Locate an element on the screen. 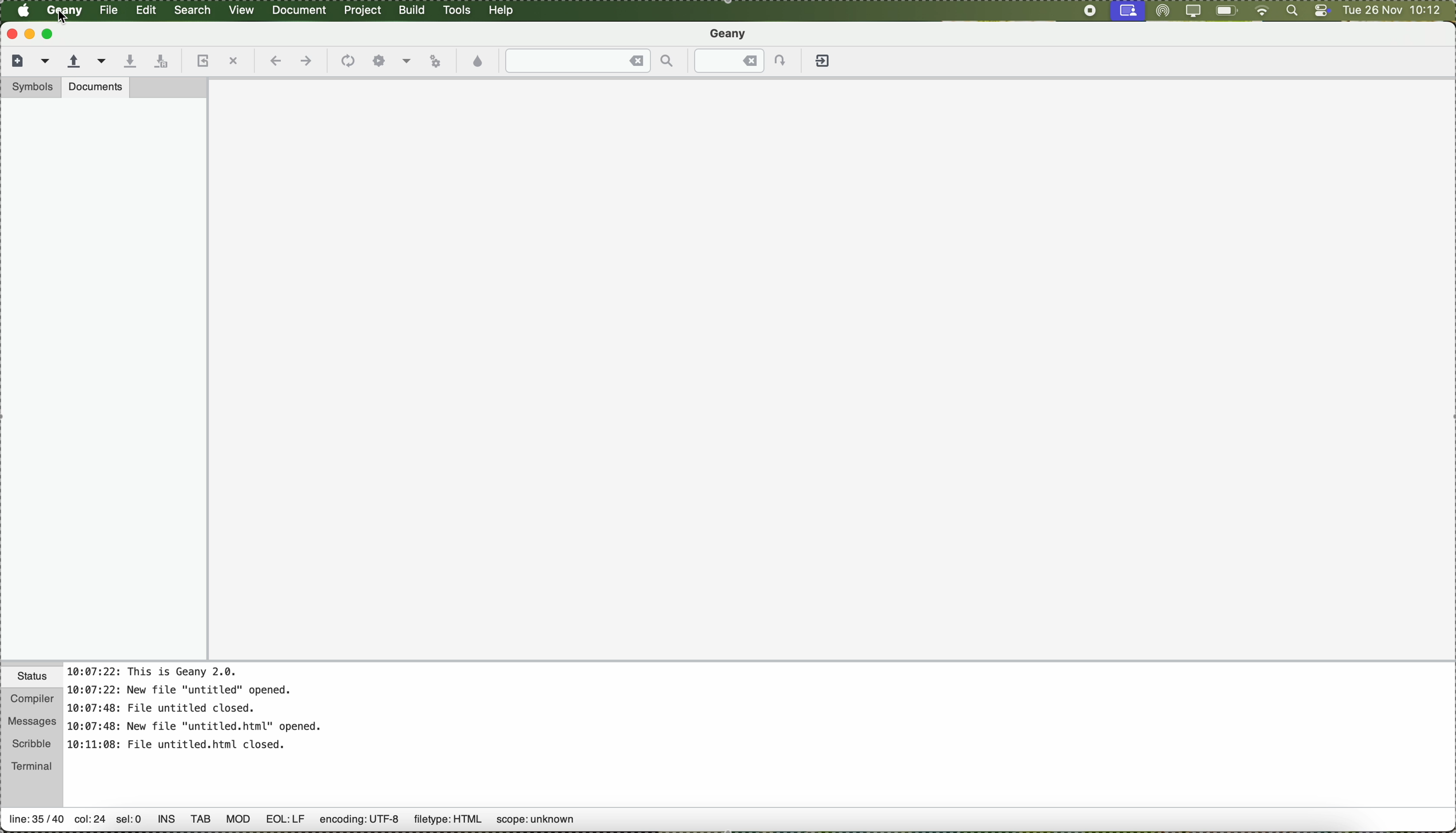 This screenshot has height=833, width=1456. spotlight search is located at coordinates (1288, 13).